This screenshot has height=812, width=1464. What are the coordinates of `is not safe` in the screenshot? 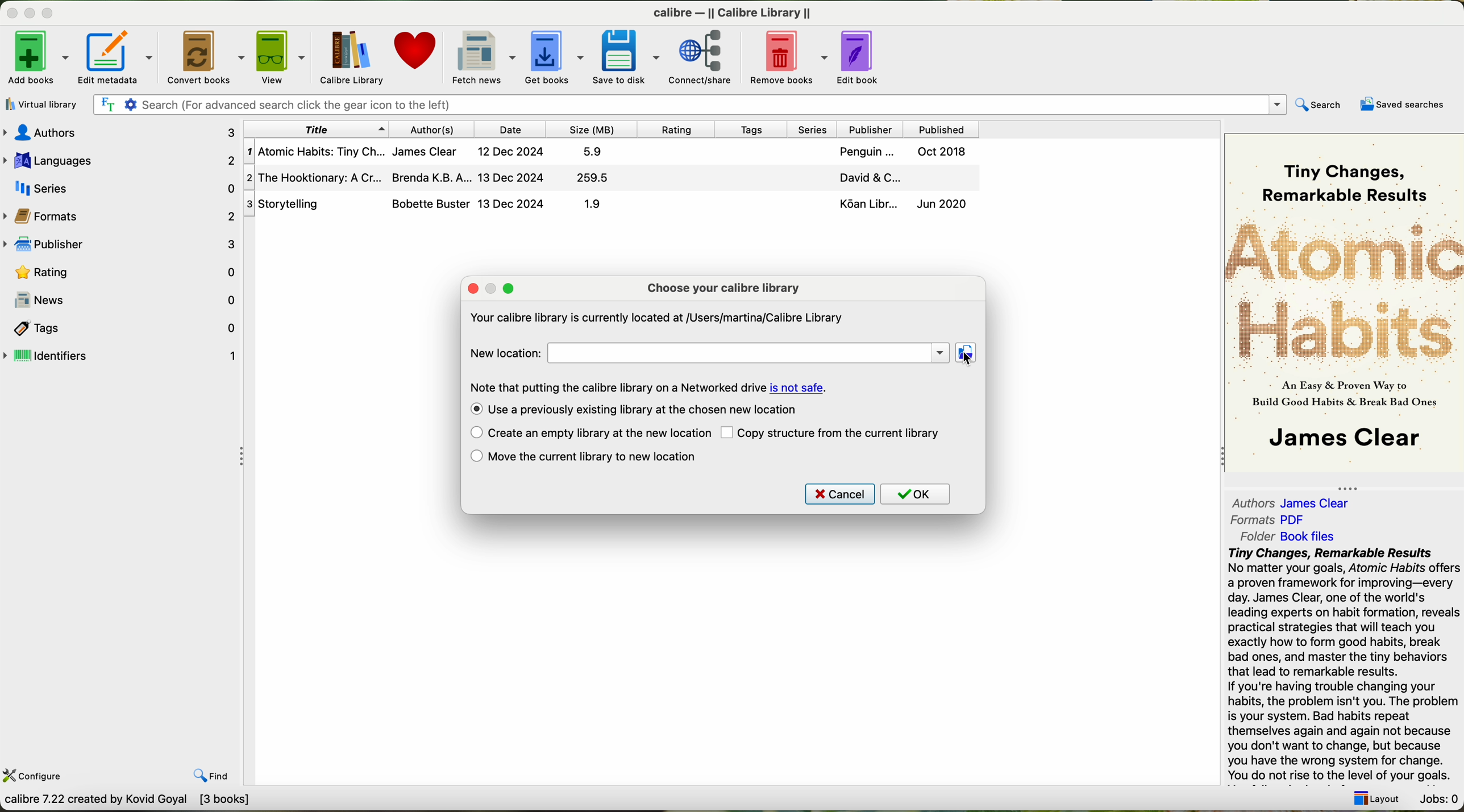 It's located at (798, 388).